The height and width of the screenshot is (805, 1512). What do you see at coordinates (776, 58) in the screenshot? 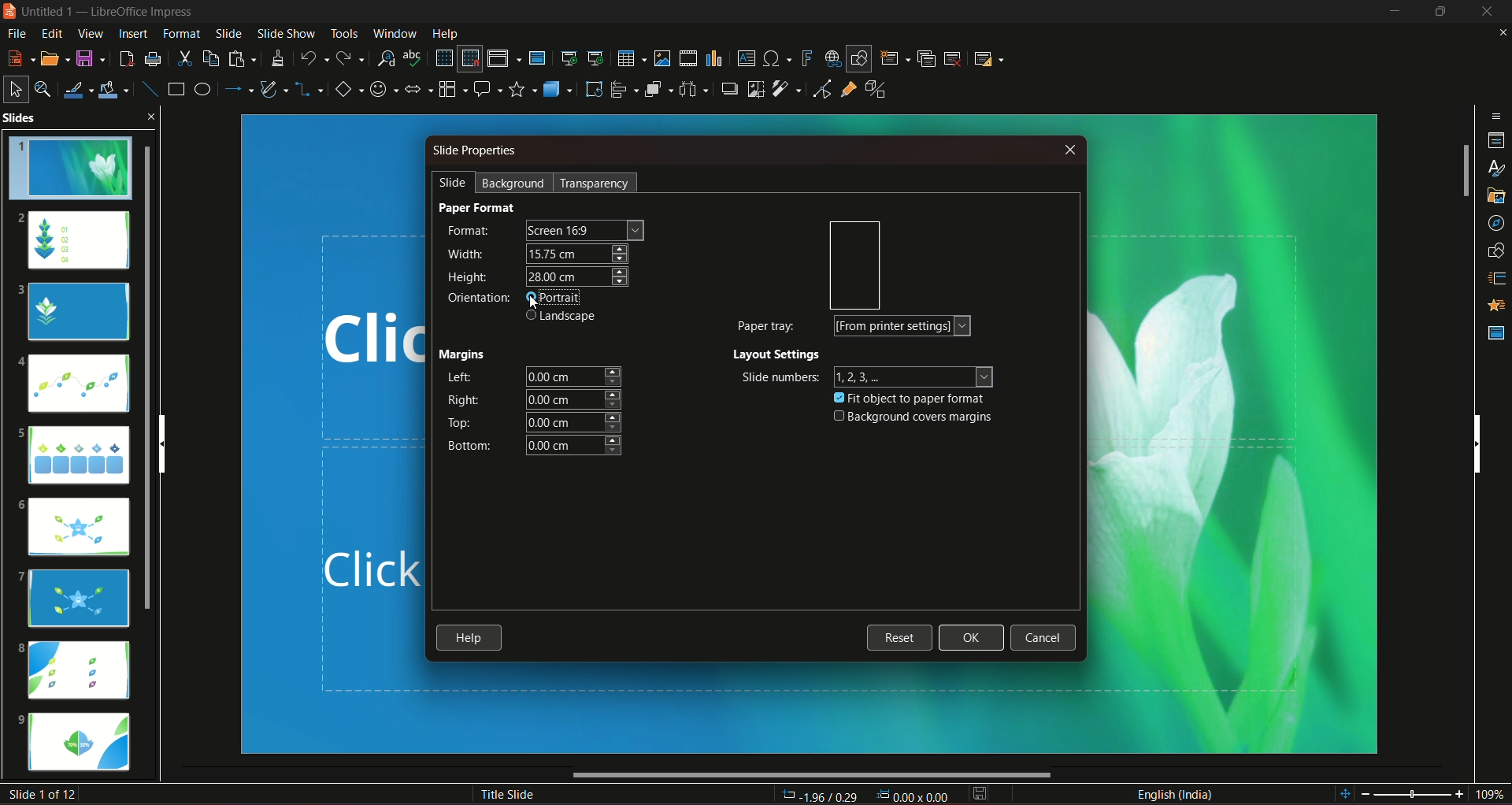
I see `insert special character` at bounding box center [776, 58].